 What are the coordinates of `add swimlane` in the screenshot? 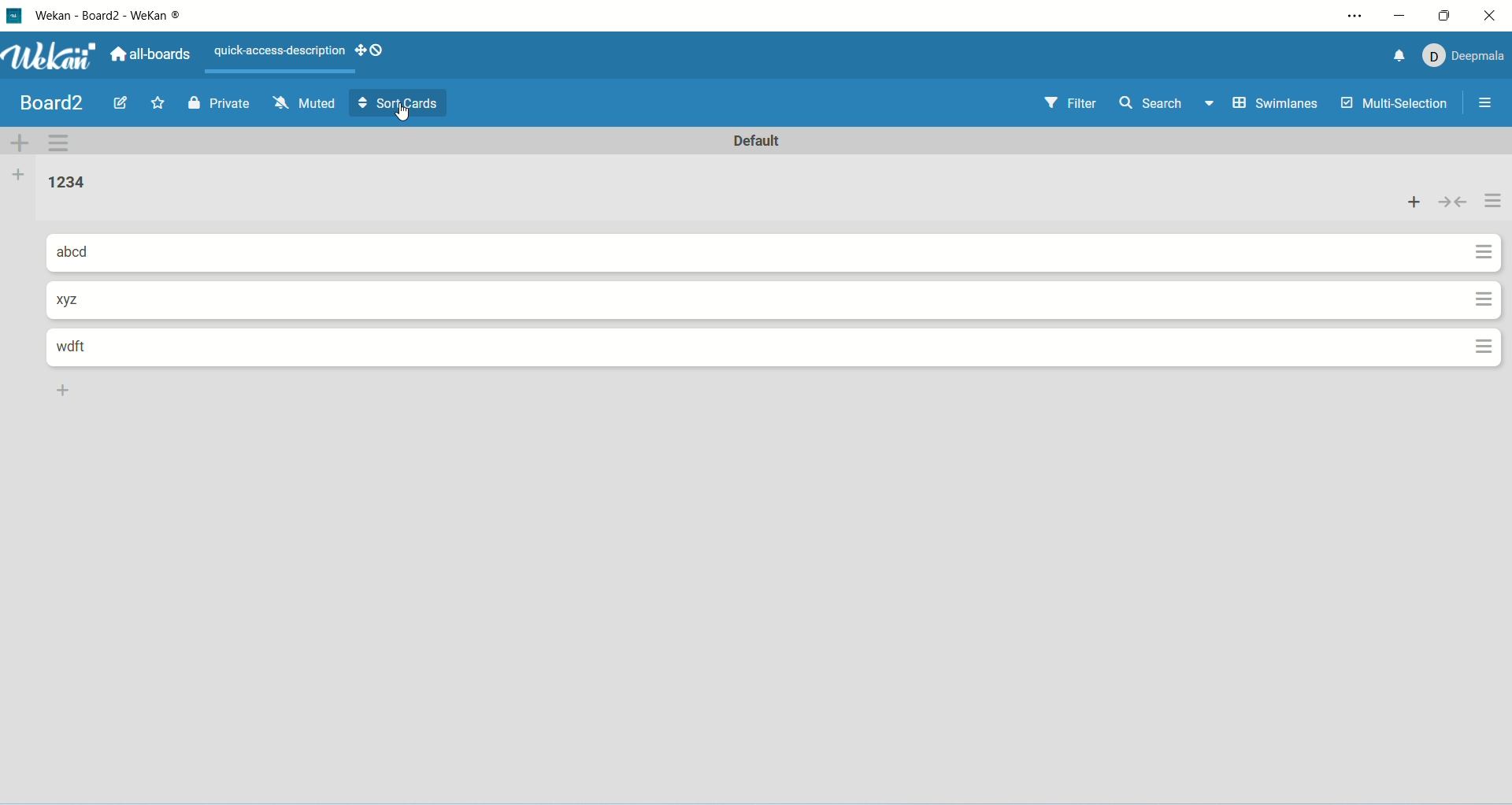 It's located at (20, 143).